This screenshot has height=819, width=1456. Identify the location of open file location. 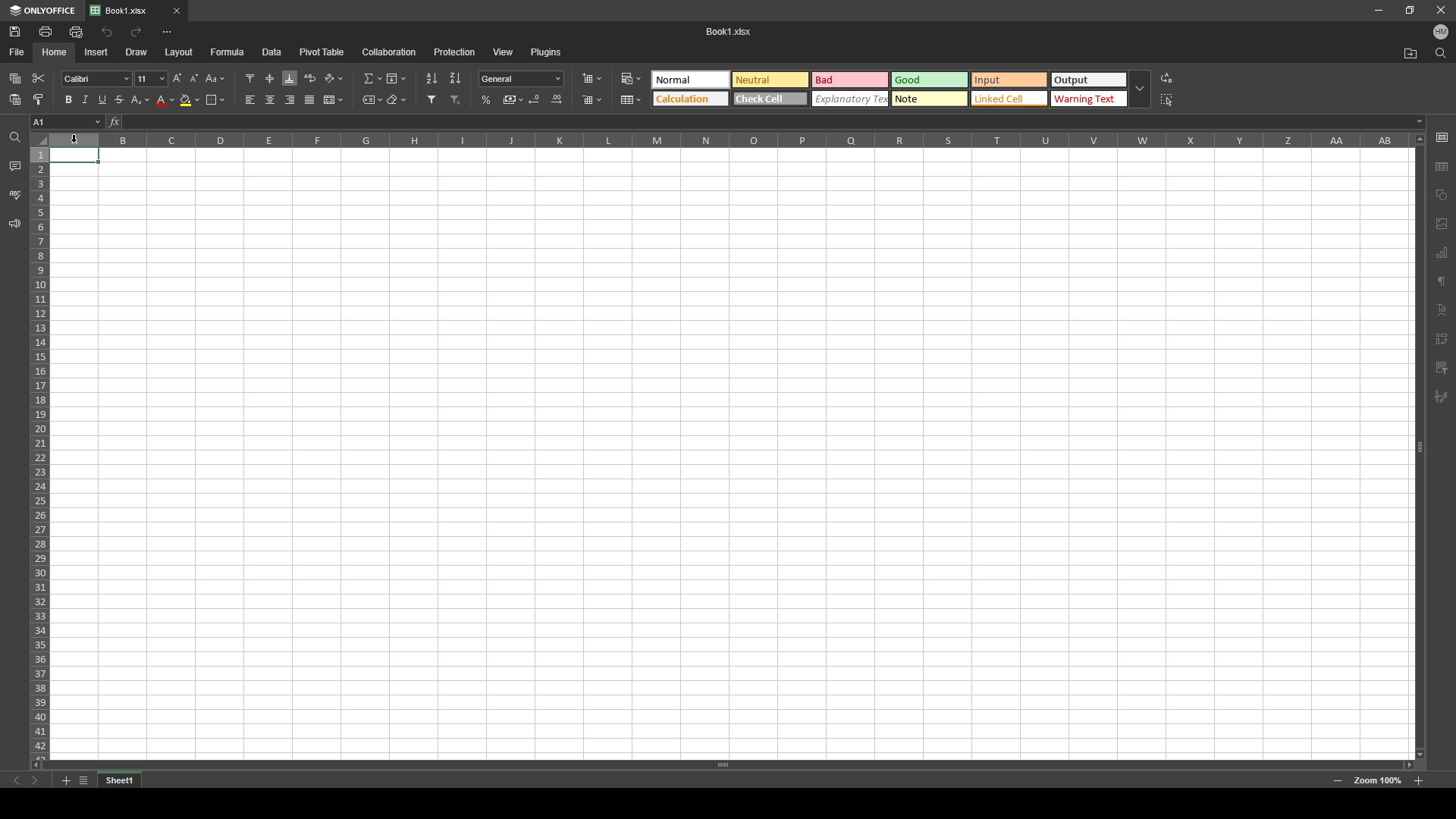
(1411, 55).